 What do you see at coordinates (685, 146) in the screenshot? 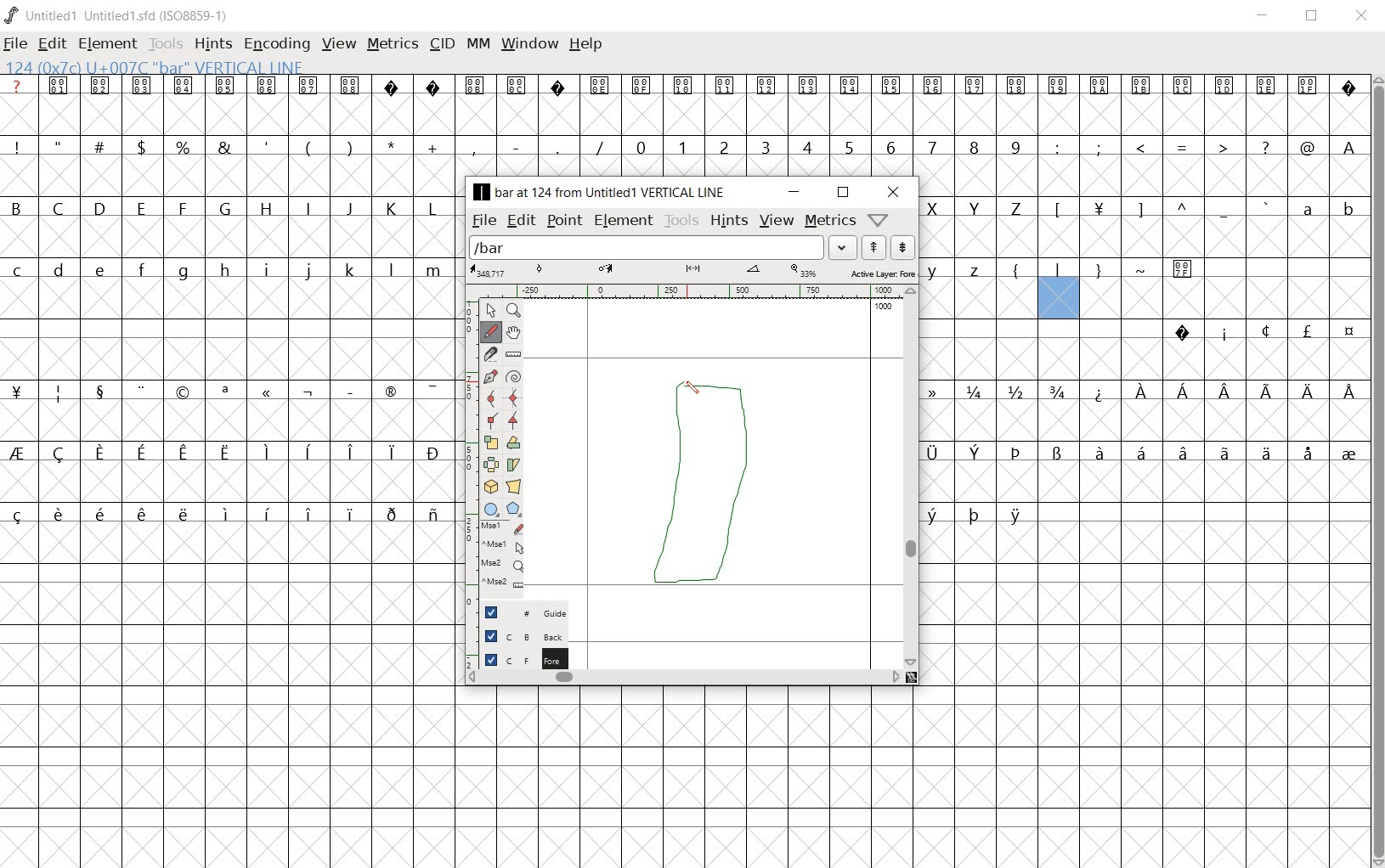
I see `numbers and symbols` at bounding box center [685, 146].